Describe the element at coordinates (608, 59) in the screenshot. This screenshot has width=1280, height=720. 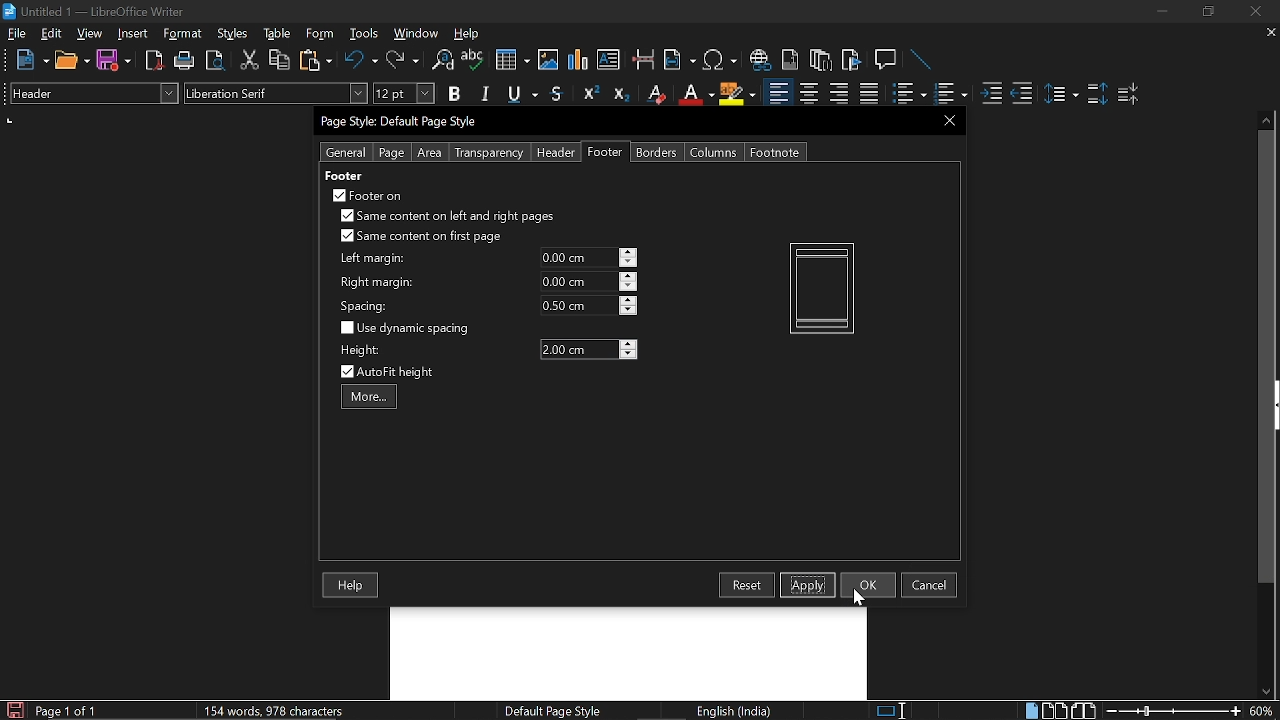
I see `Insert text` at that location.